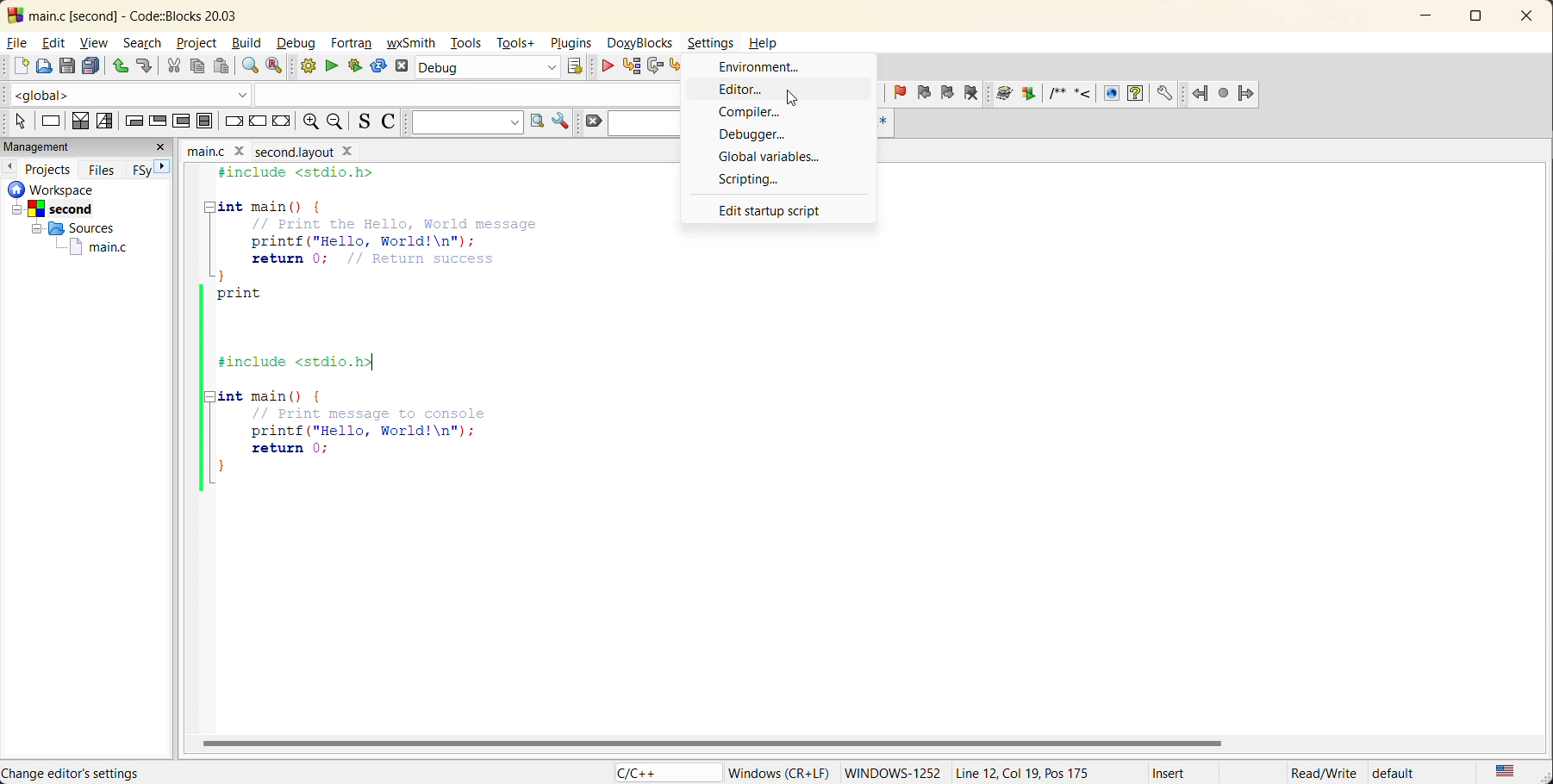  Describe the element at coordinates (53, 44) in the screenshot. I see `edit` at that location.